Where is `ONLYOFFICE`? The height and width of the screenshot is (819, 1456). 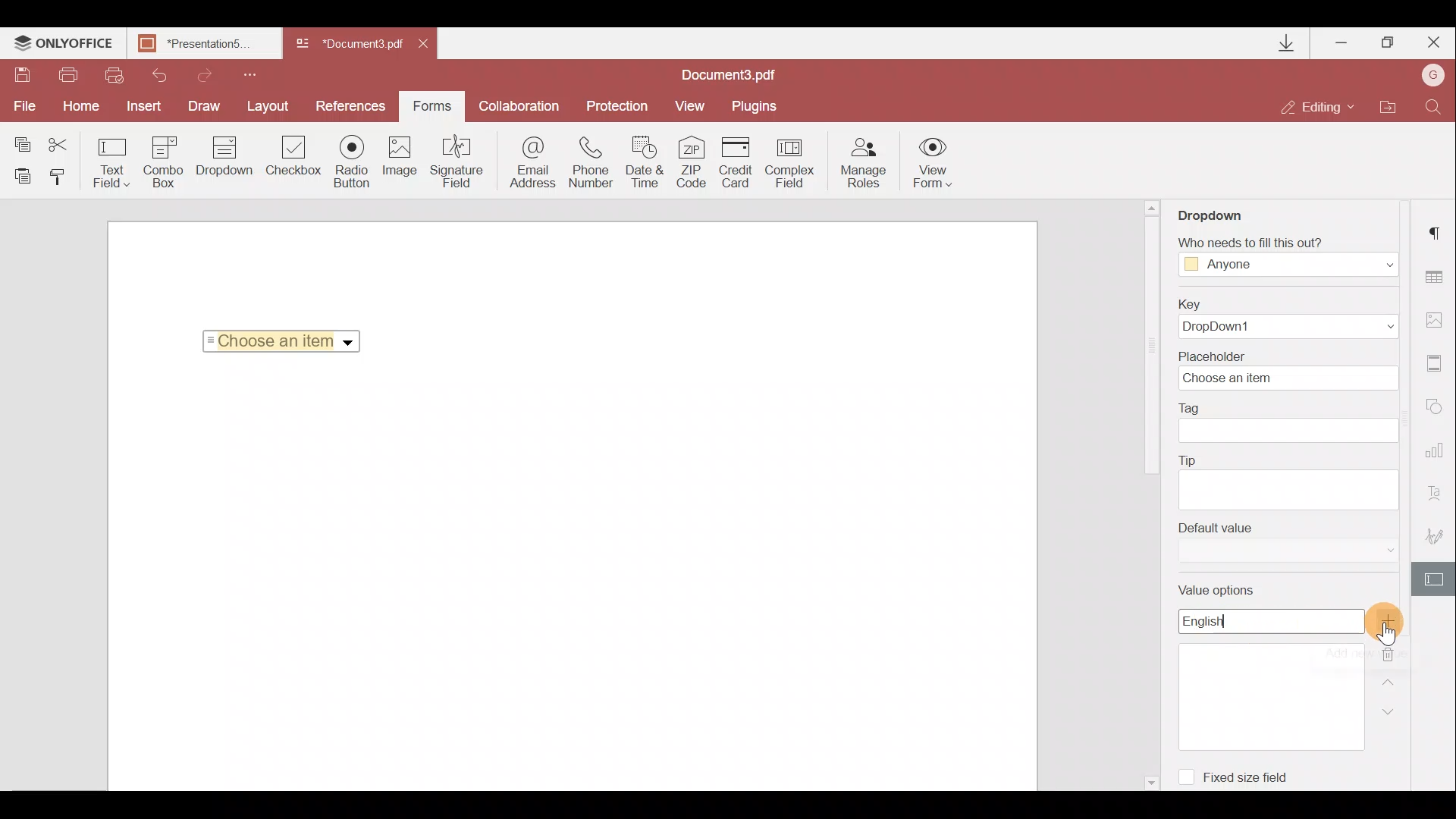 ONLYOFFICE is located at coordinates (64, 45).